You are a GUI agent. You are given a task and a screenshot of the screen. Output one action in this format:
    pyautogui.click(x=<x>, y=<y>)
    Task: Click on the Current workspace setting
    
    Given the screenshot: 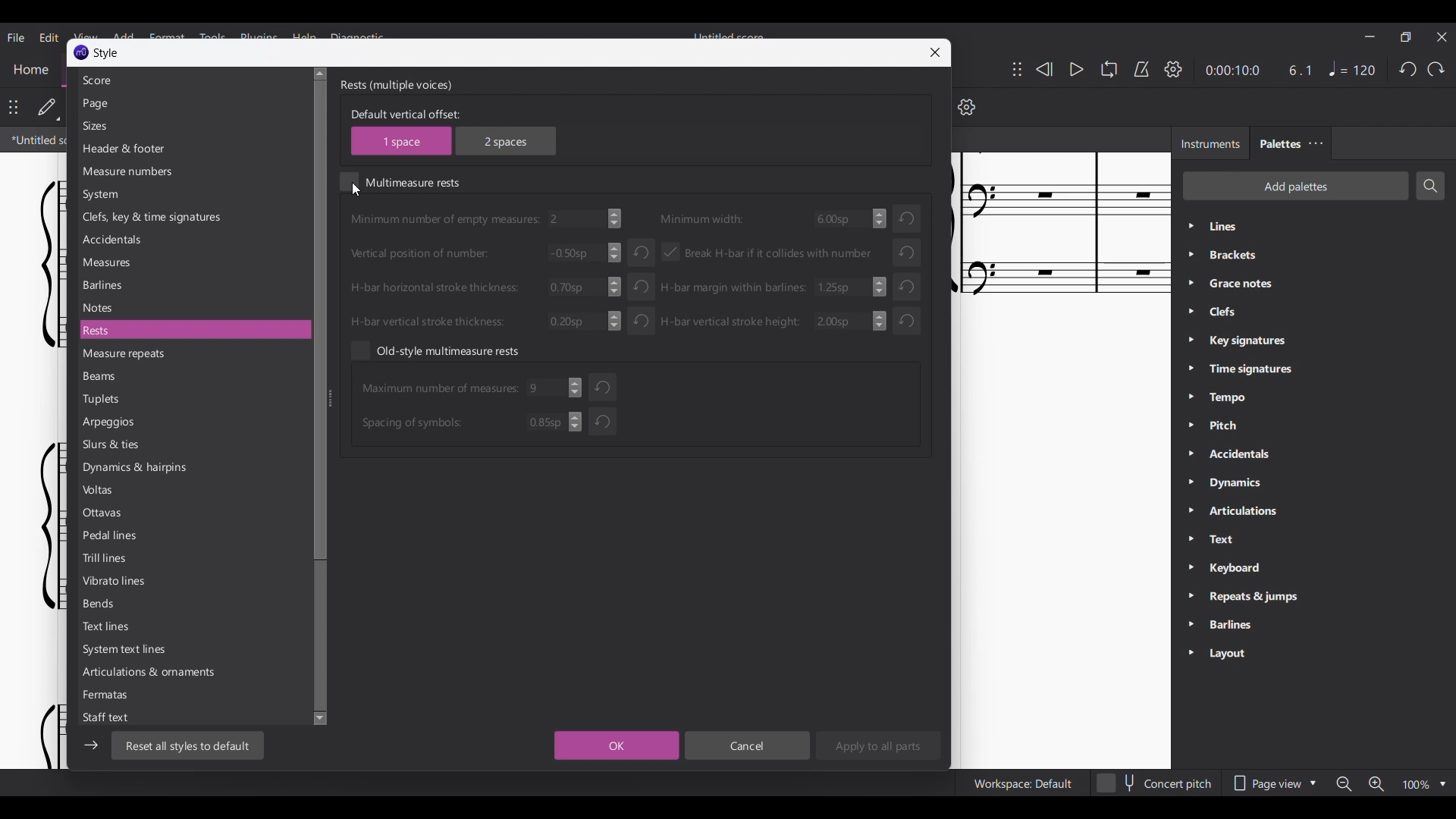 What is the action you would take?
    pyautogui.click(x=1022, y=783)
    